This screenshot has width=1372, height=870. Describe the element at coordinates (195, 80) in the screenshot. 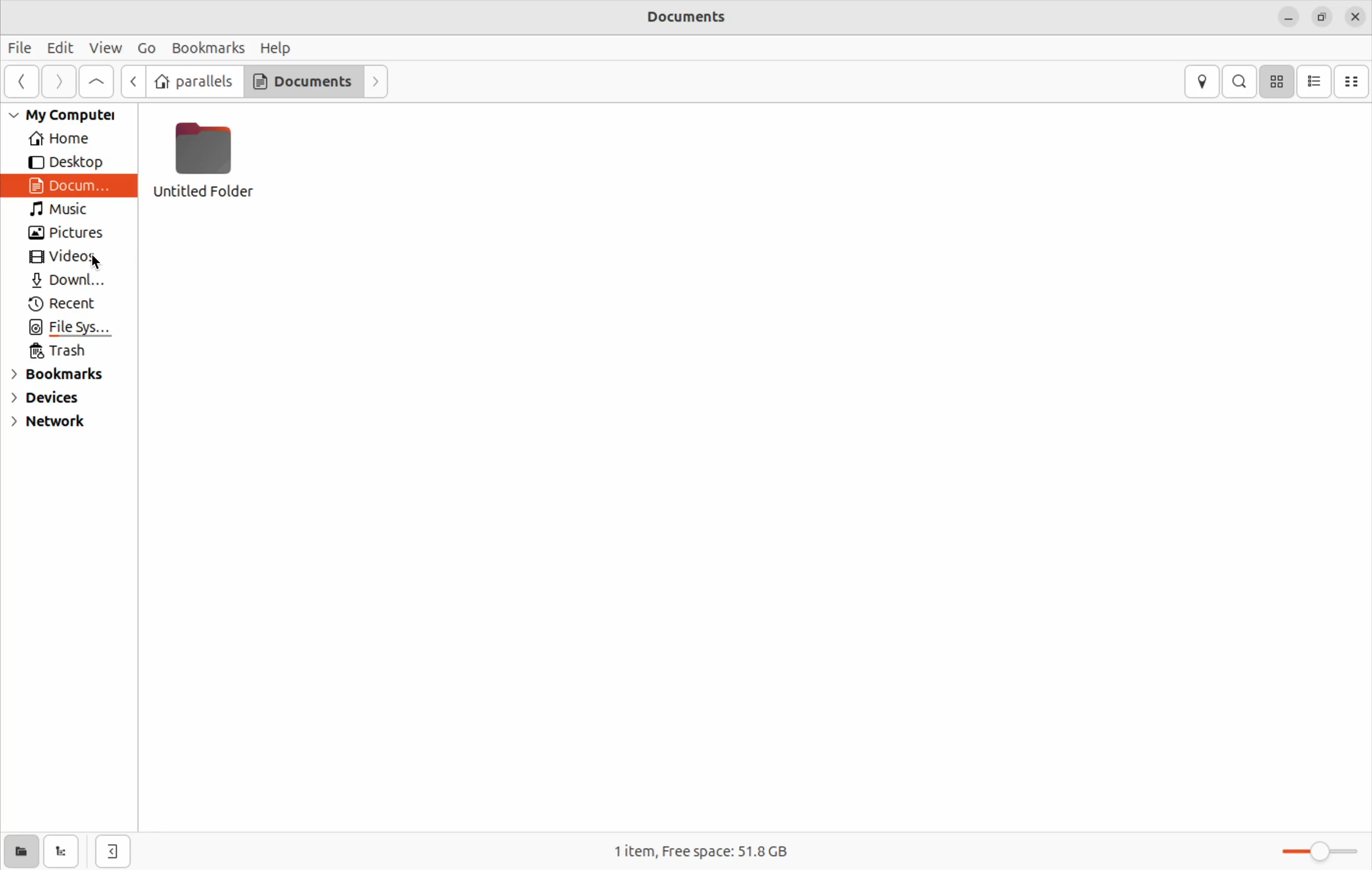

I see `parallels` at that location.